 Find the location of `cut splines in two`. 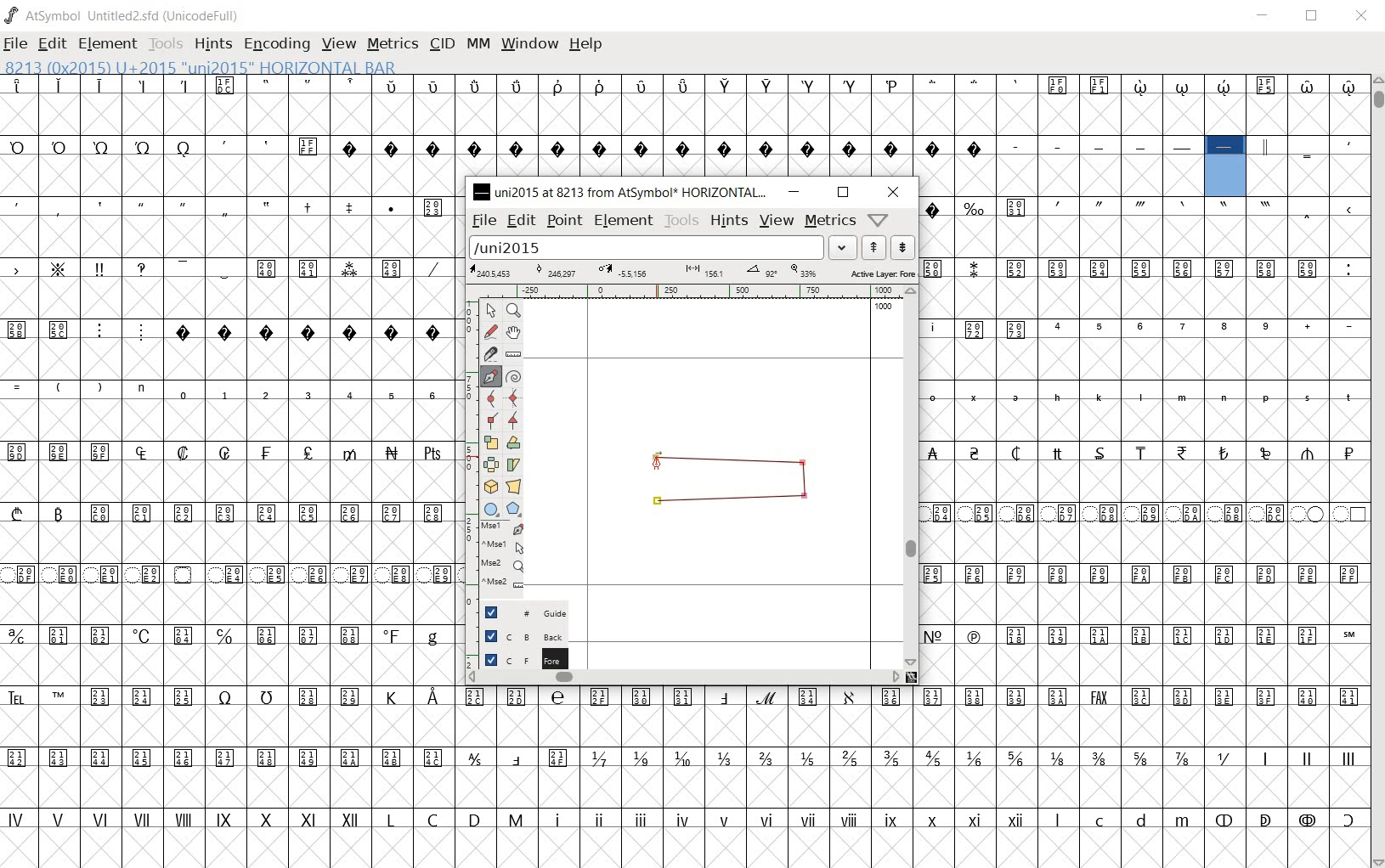

cut splines in two is located at coordinates (488, 352).